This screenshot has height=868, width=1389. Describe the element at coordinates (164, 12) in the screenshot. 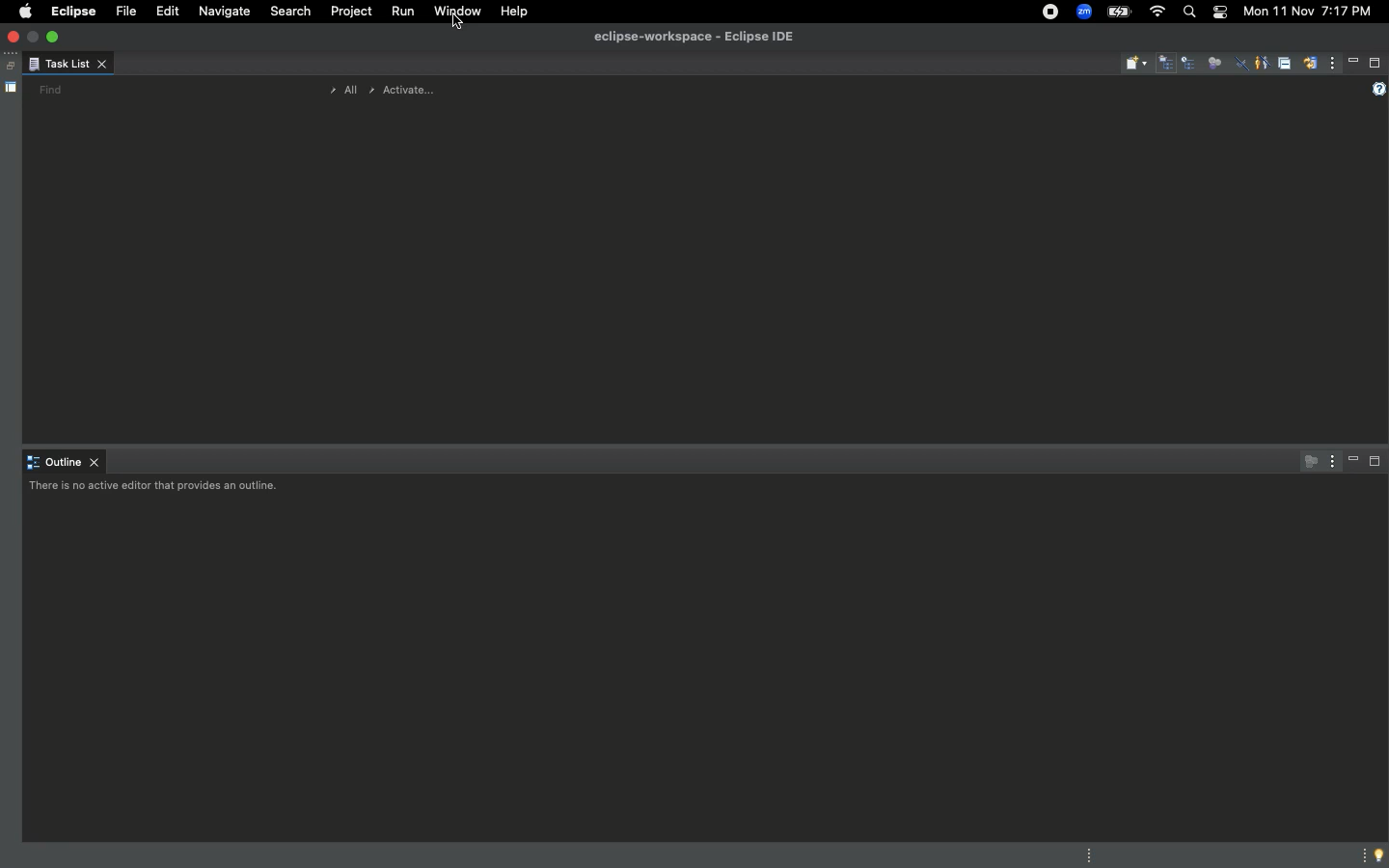

I see `Edit` at that location.